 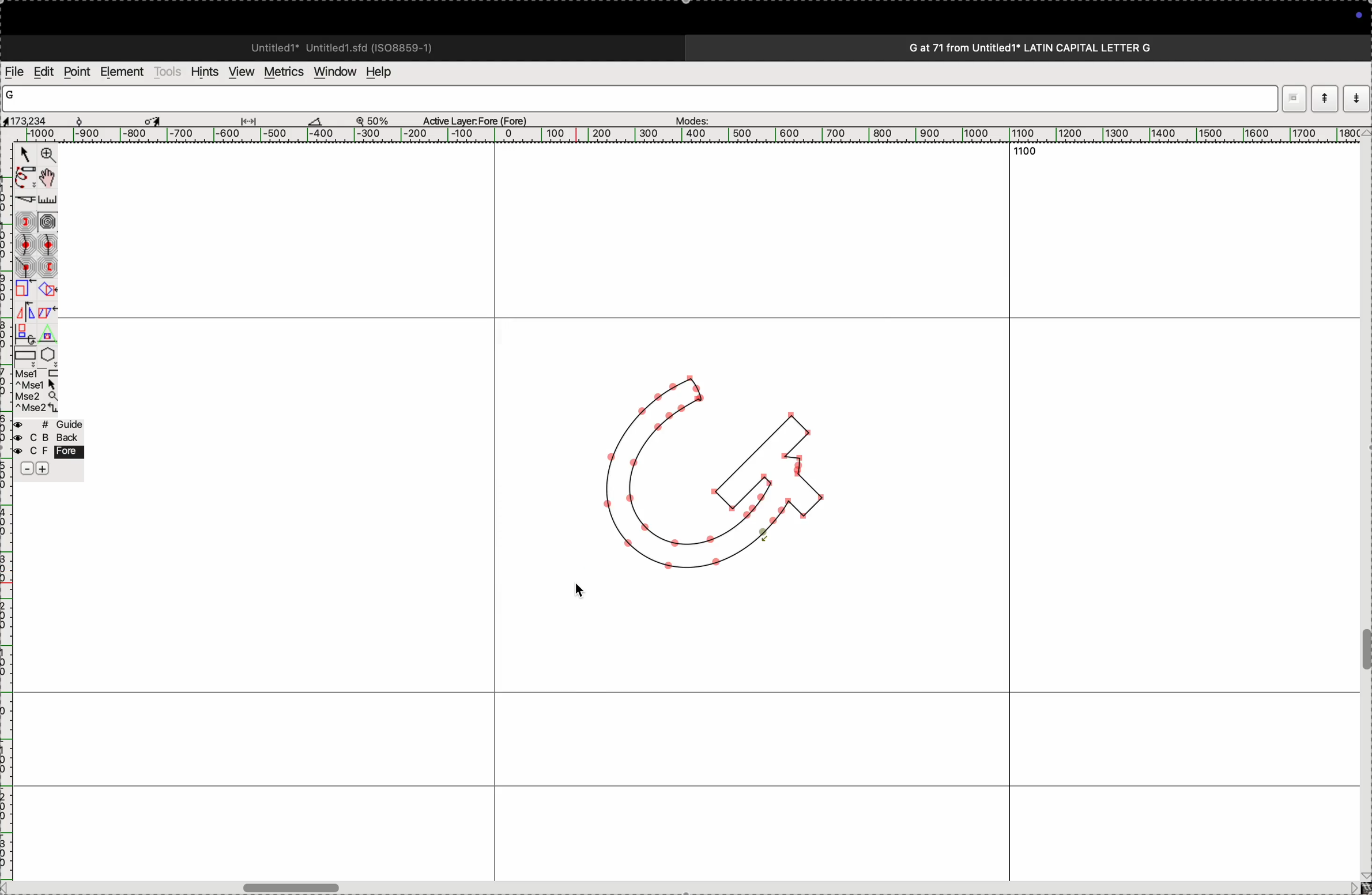 What do you see at coordinates (47, 244) in the screenshot?
I see `sharp curve` at bounding box center [47, 244].